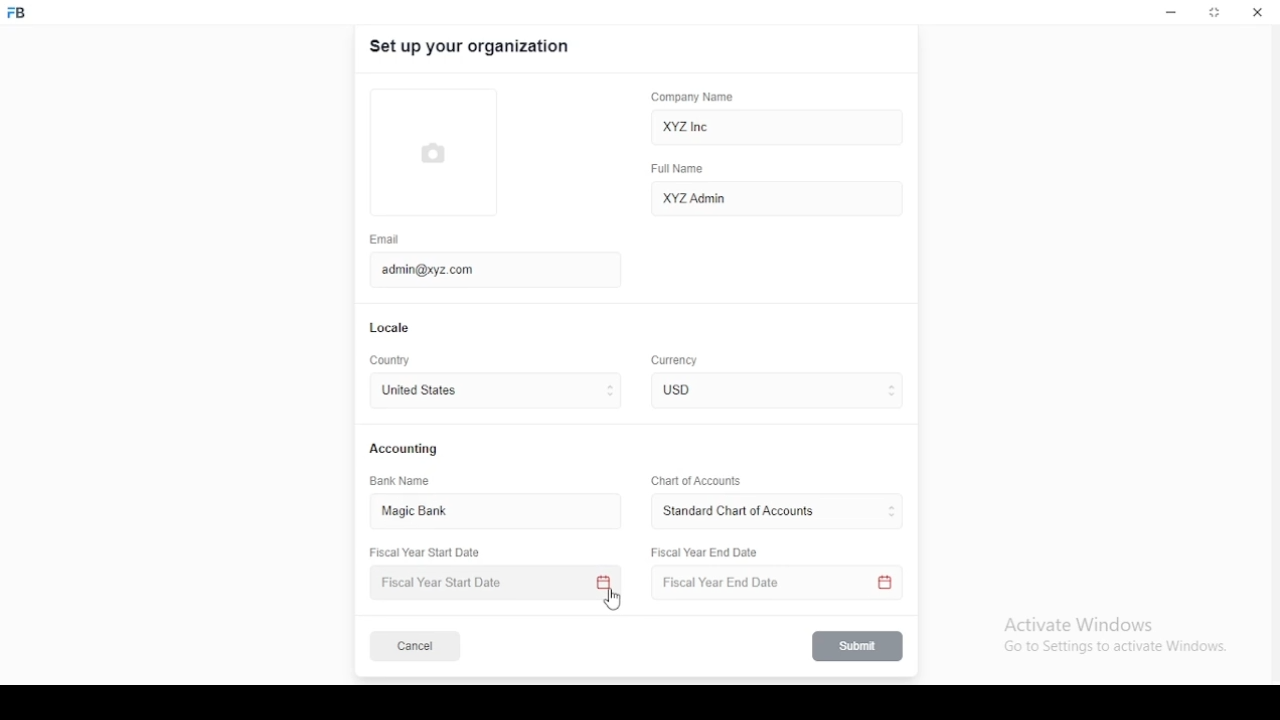 The image size is (1280, 720). What do you see at coordinates (1171, 13) in the screenshot?
I see `minimize` at bounding box center [1171, 13].